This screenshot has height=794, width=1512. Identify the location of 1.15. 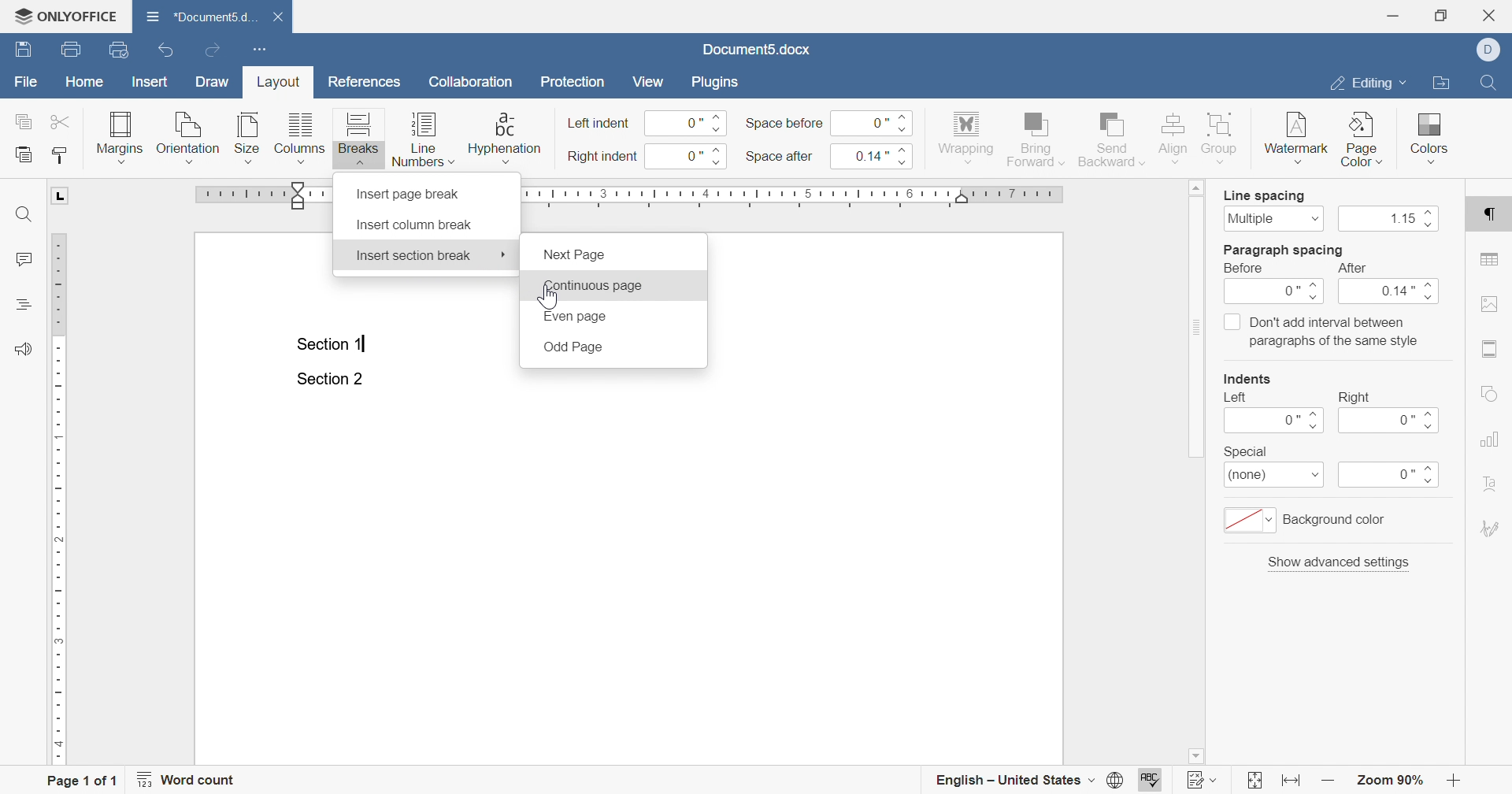
(1392, 220).